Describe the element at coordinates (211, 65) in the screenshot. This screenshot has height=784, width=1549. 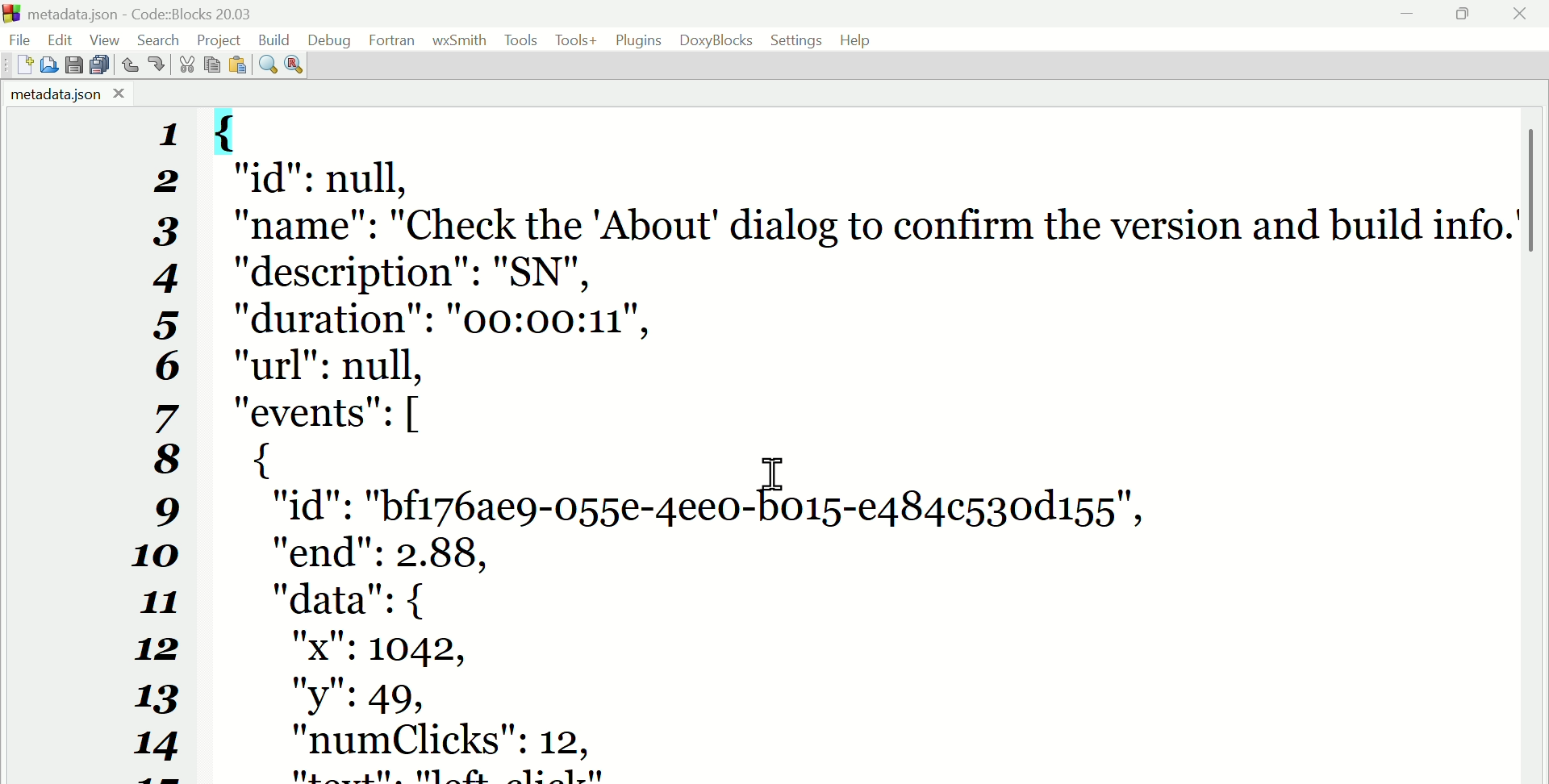
I see `Copy` at that location.